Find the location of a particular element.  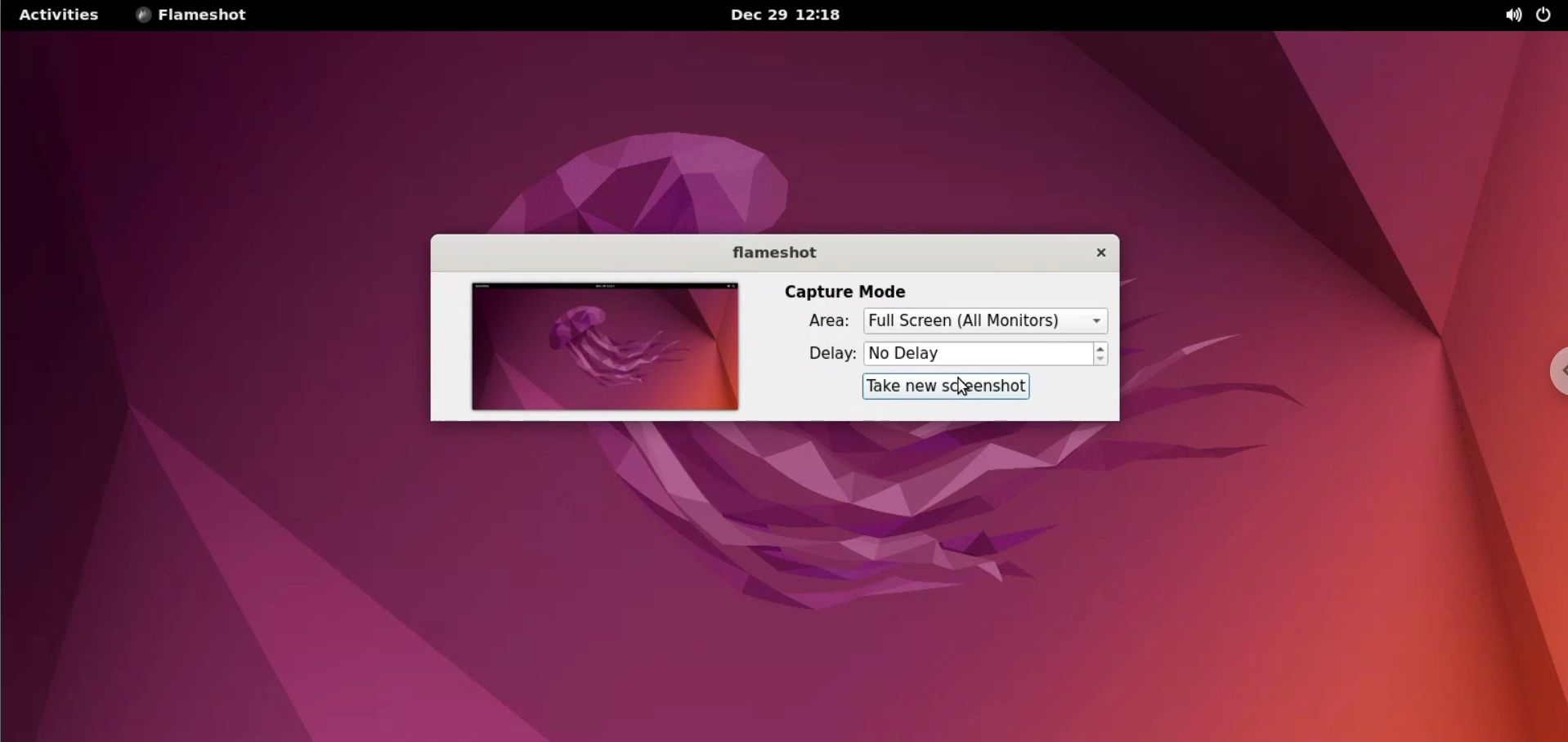

Activities is located at coordinates (58, 16).